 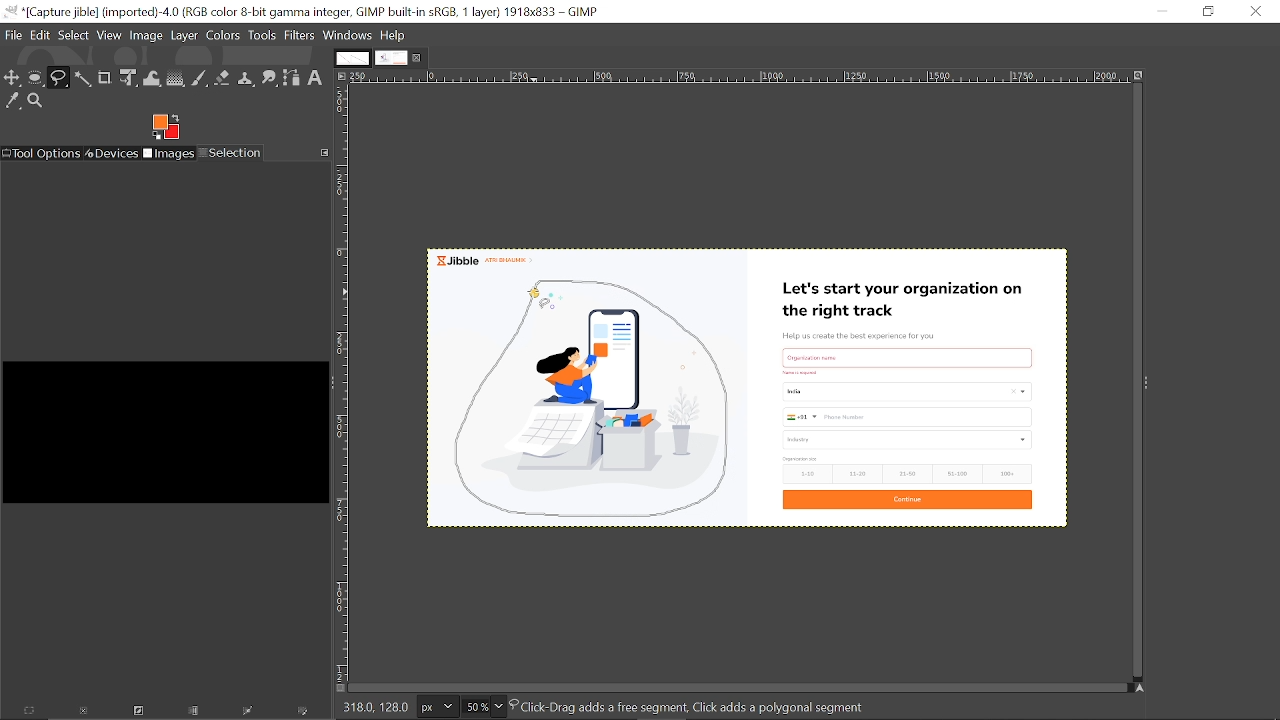 What do you see at coordinates (342, 77) in the screenshot?
I see `Access this image menu` at bounding box center [342, 77].